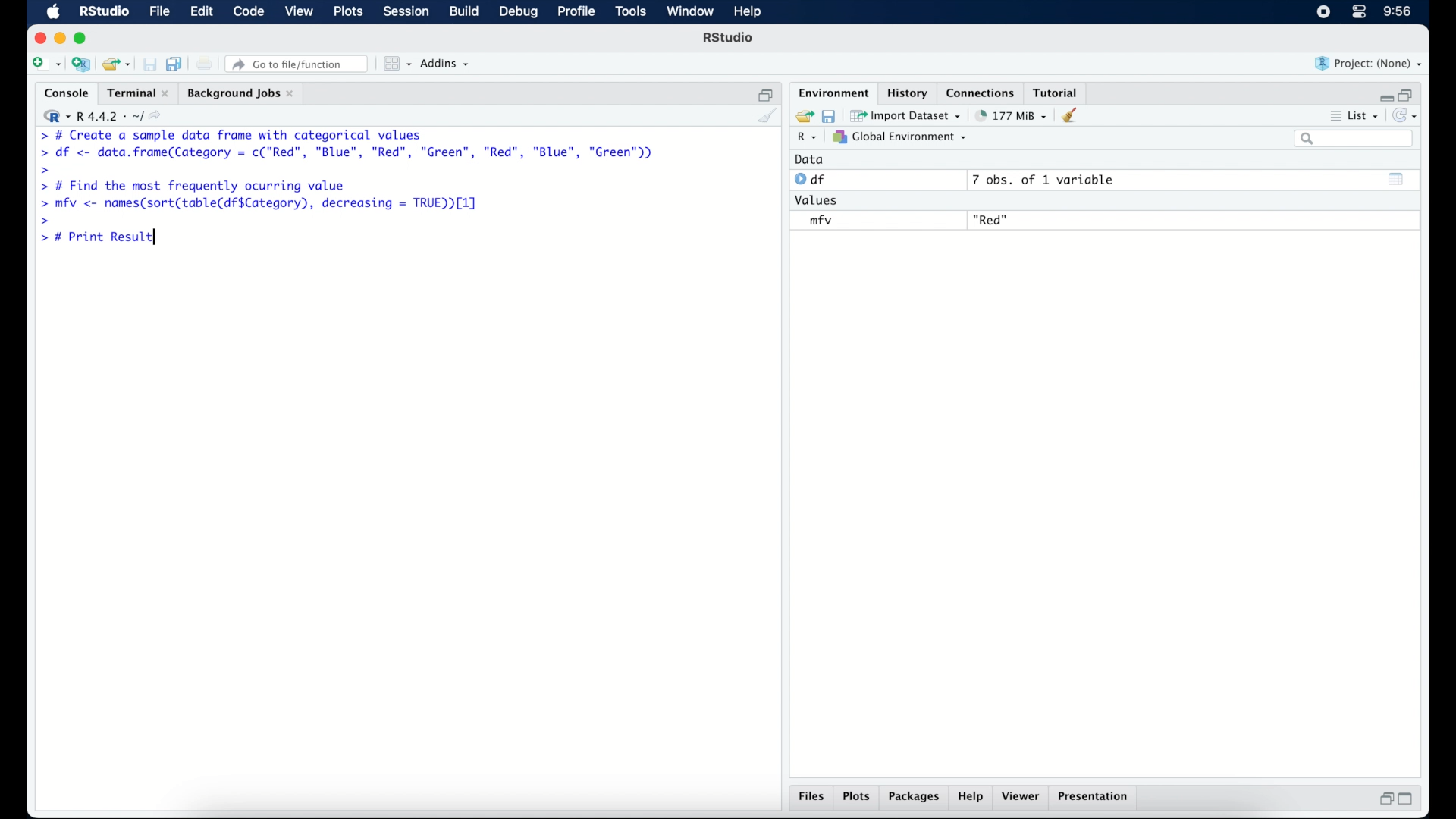 The width and height of the screenshot is (1456, 819). I want to click on tutorial, so click(1059, 92).